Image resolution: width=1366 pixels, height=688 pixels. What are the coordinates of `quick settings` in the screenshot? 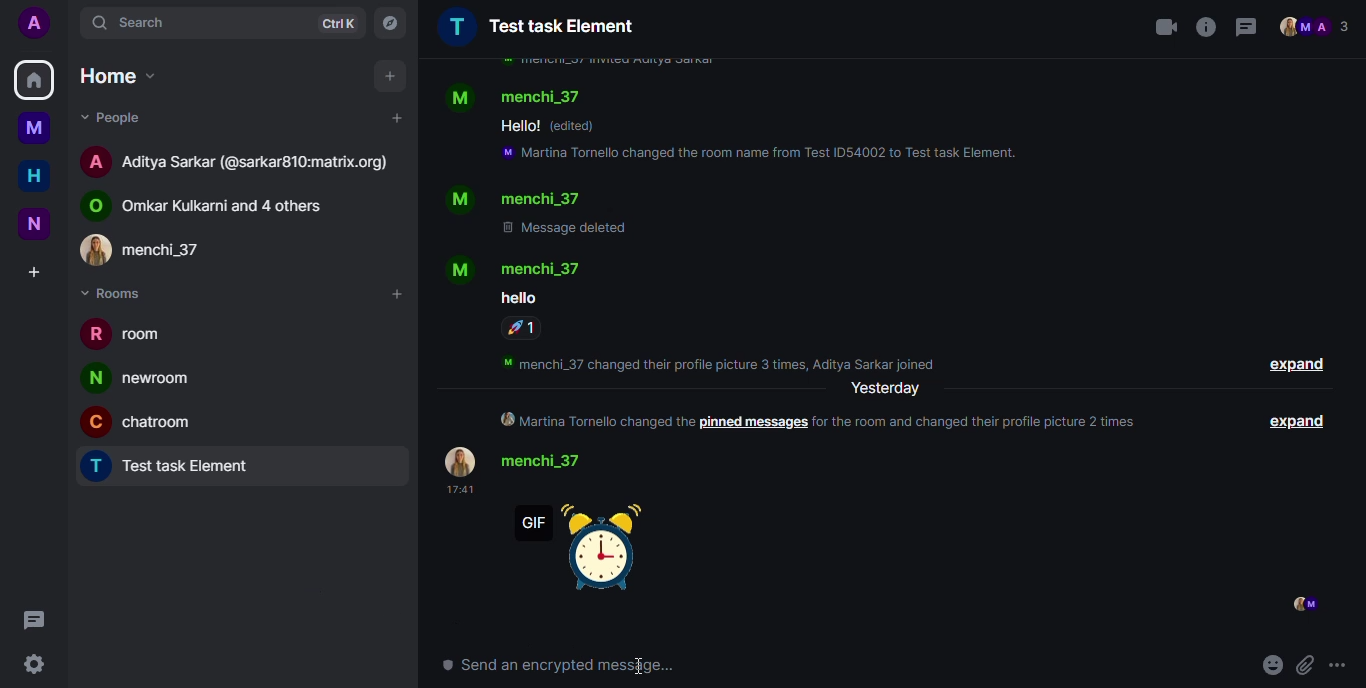 It's located at (26, 664).